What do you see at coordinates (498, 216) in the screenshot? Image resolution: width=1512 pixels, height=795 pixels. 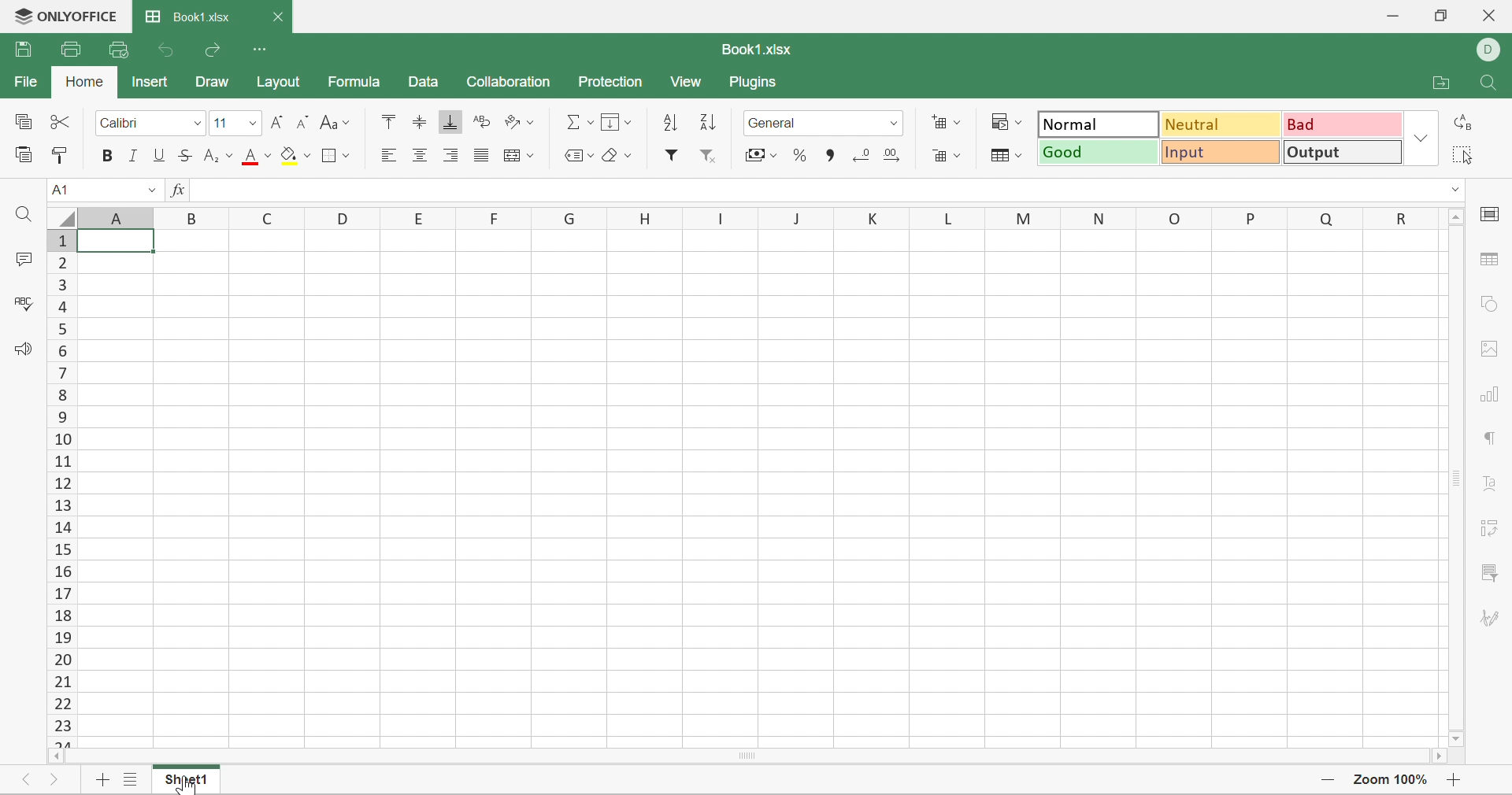 I see `F` at bounding box center [498, 216].